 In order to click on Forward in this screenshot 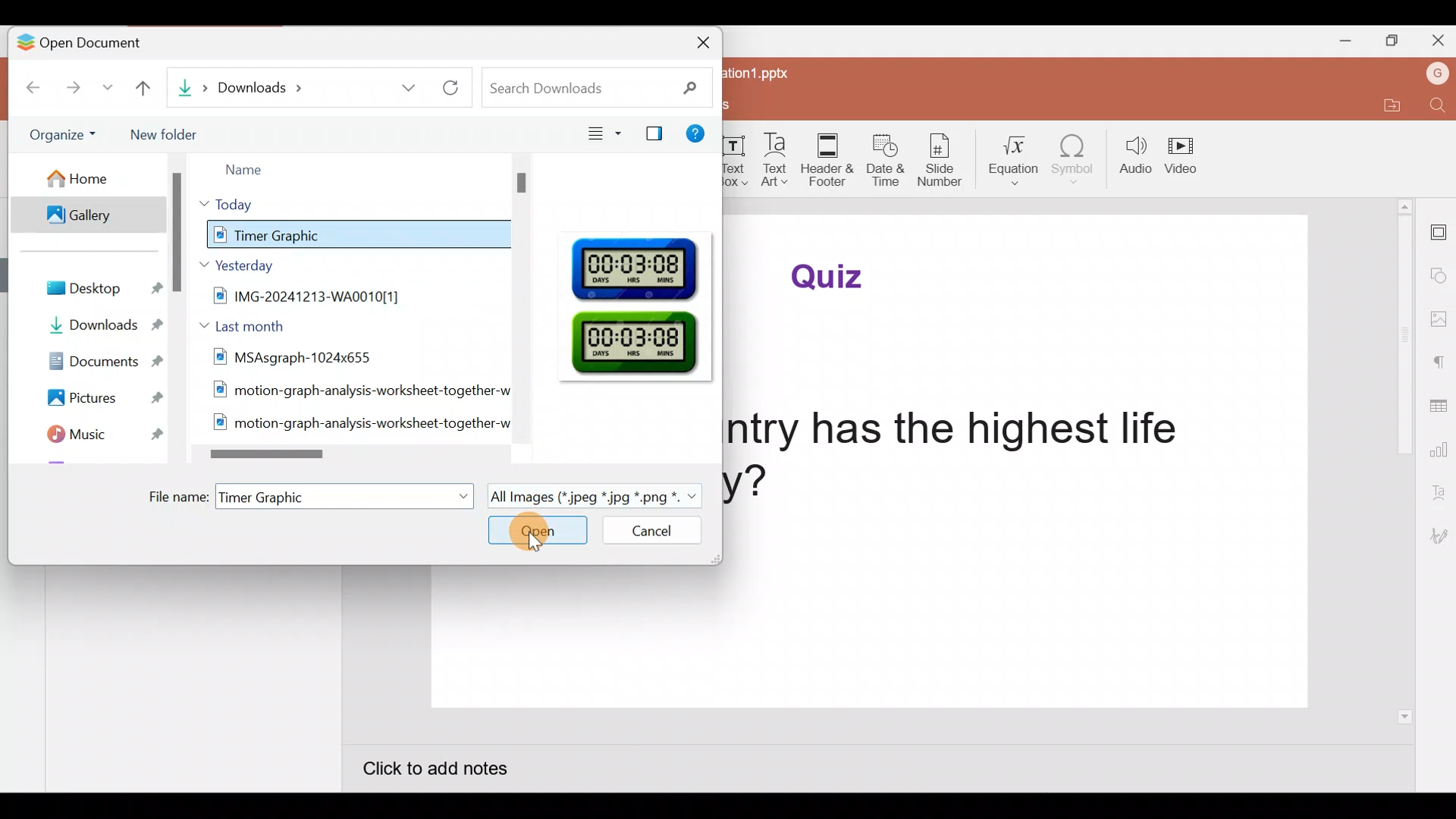, I will do `click(74, 90)`.